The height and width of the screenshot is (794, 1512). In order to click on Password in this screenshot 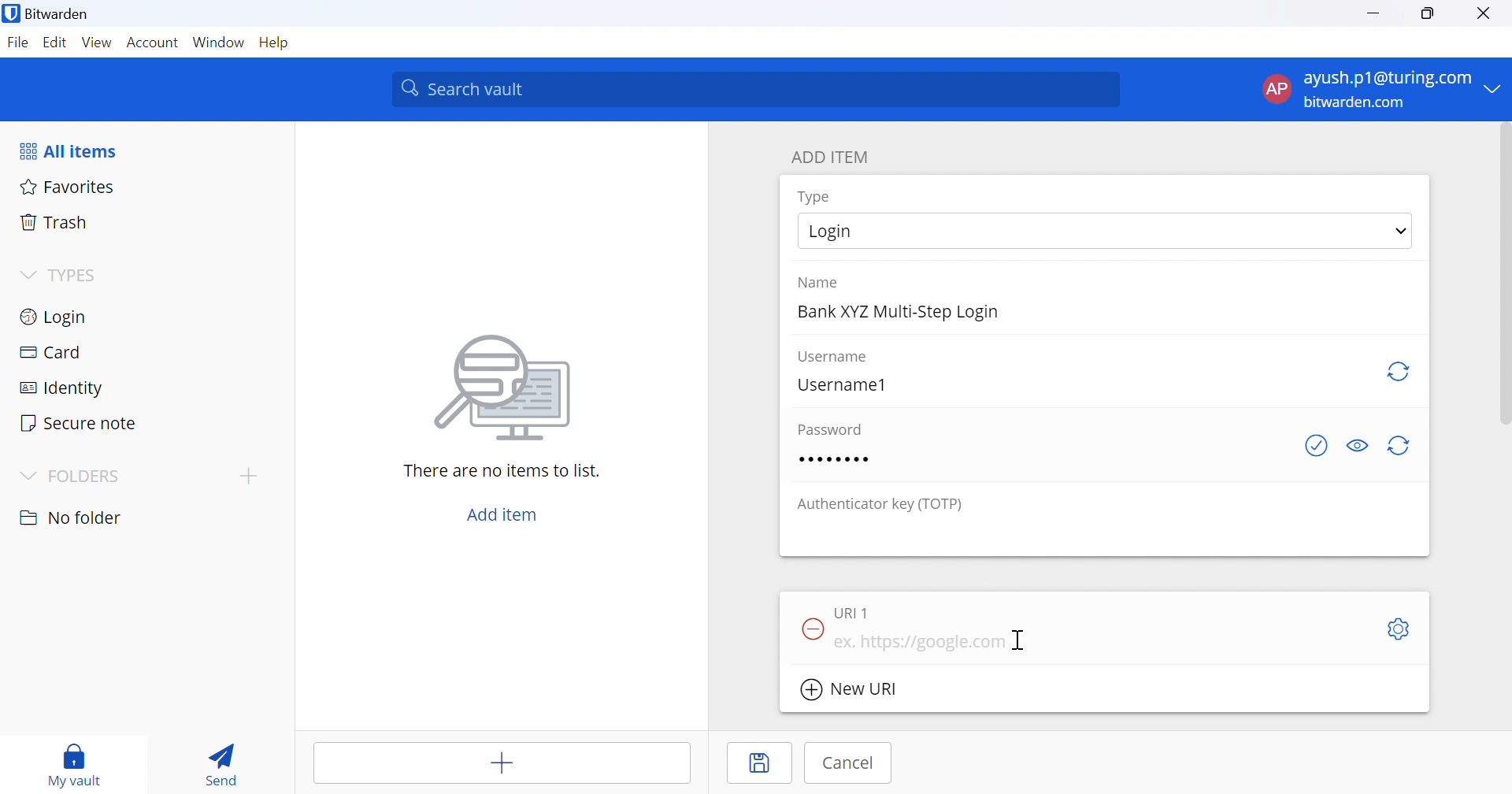, I will do `click(832, 460)`.